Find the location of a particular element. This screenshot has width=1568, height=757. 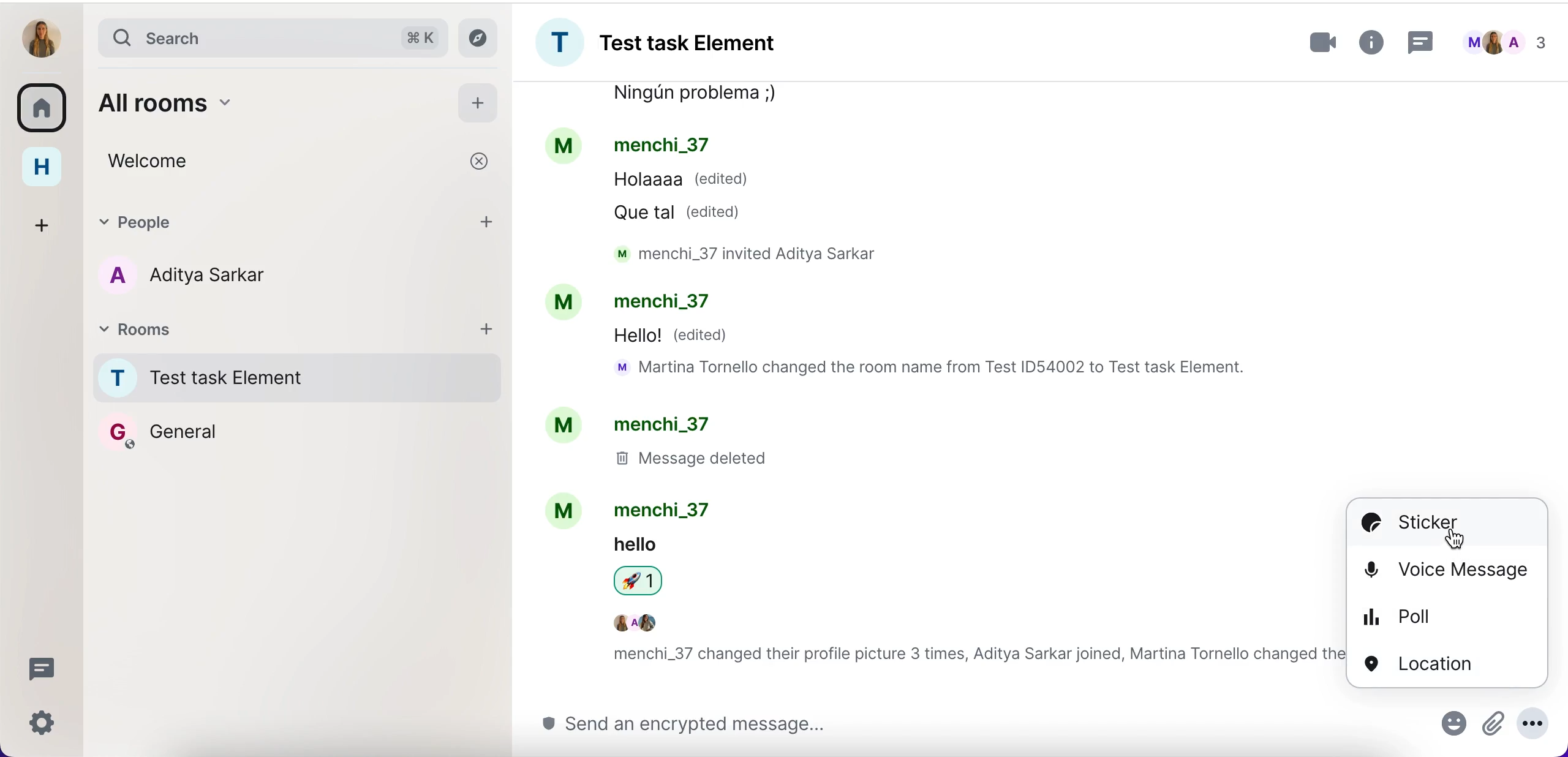

home is located at coordinates (45, 170).